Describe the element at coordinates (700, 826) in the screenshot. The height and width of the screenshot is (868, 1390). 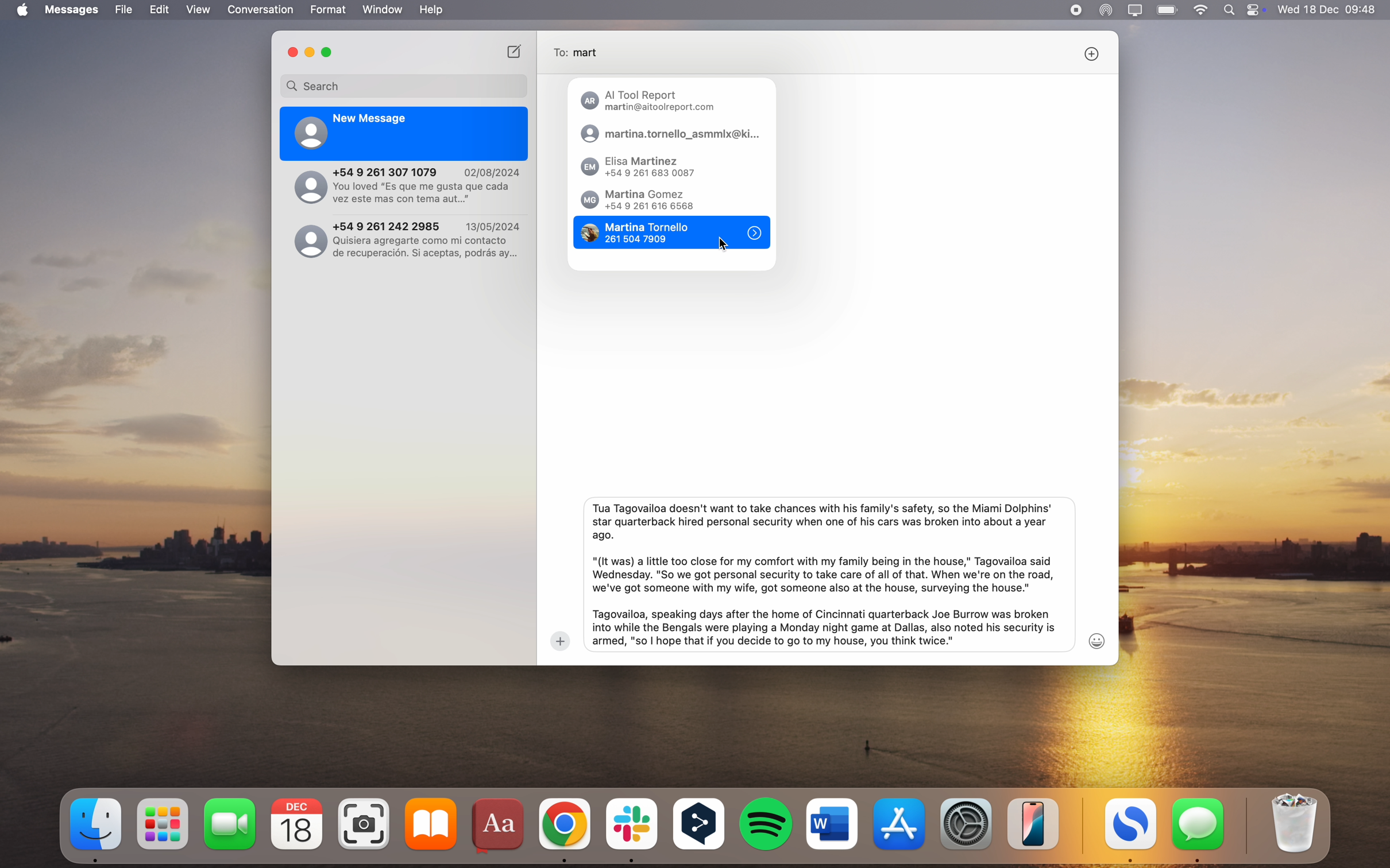
I see `deepl` at that location.